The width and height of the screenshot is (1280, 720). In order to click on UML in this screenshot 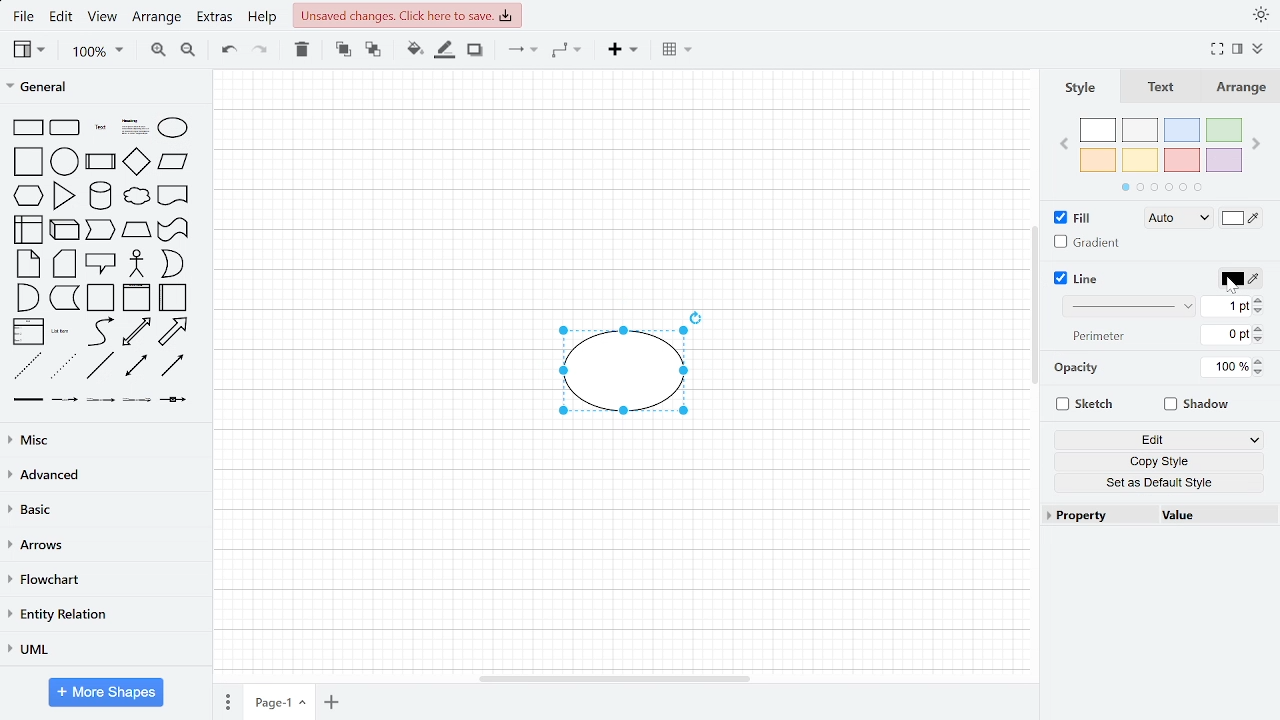, I will do `click(102, 649)`.